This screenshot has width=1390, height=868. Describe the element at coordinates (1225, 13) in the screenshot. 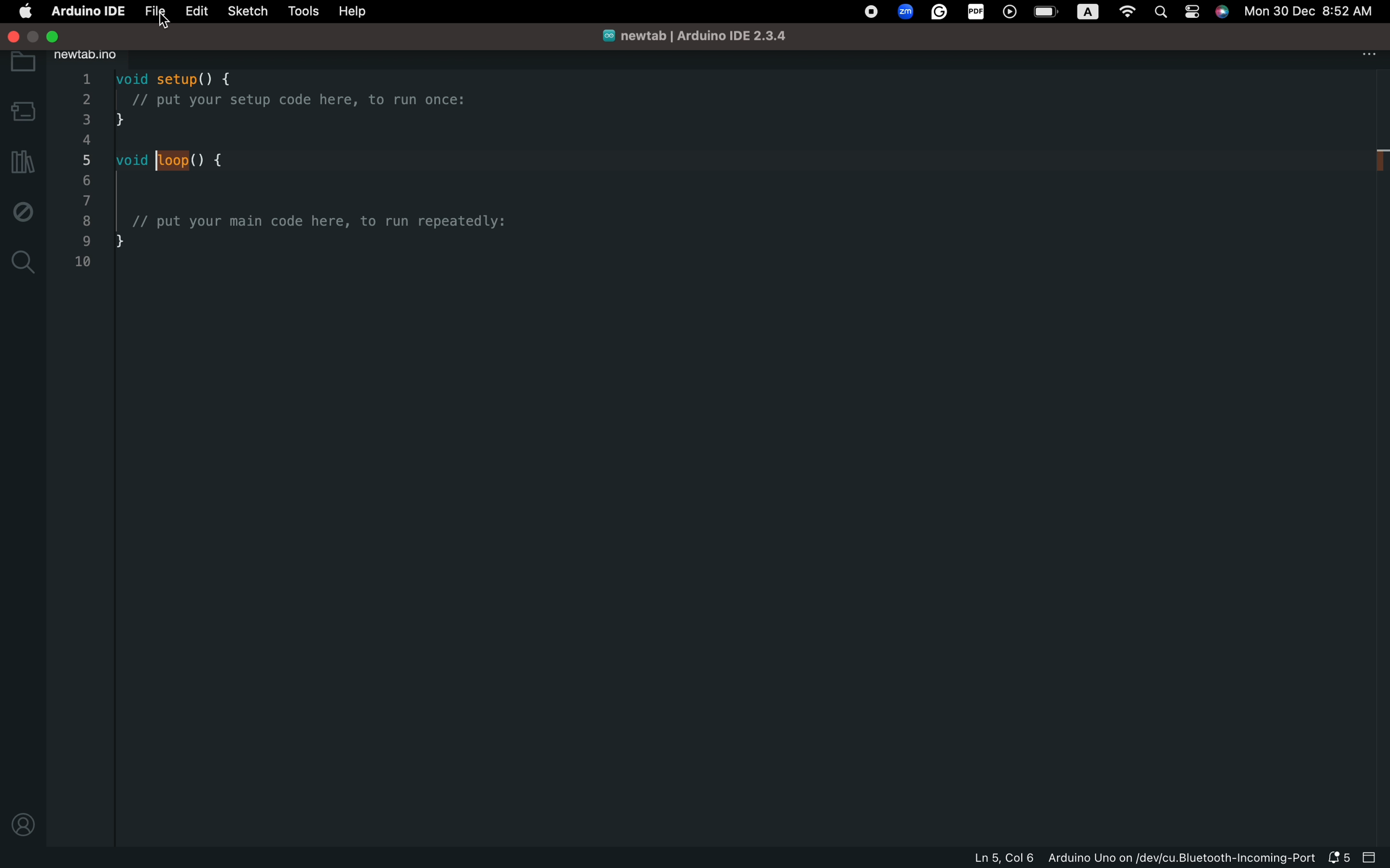

I see `siri` at that location.